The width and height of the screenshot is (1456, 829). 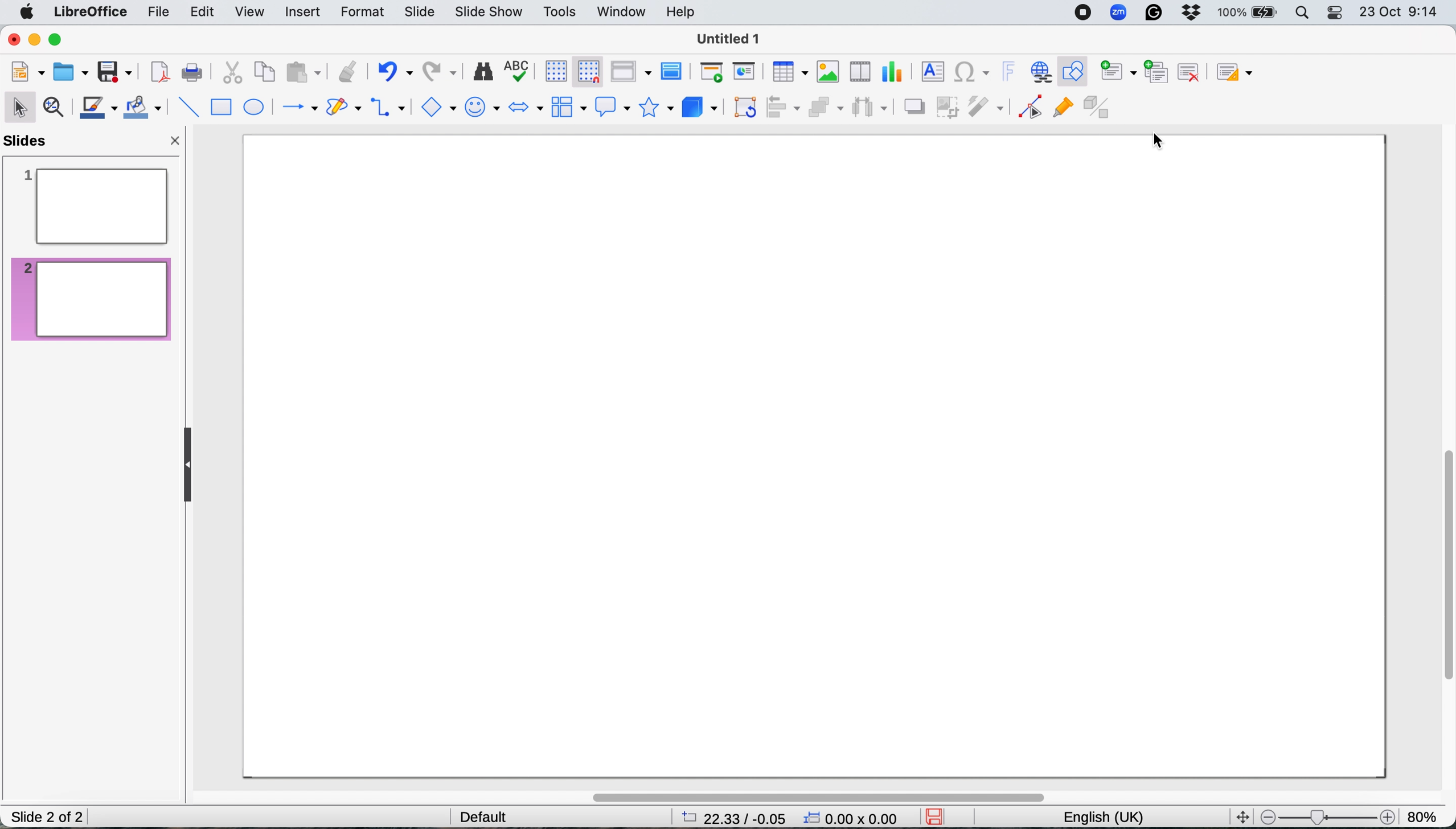 What do you see at coordinates (223, 108) in the screenshot?
I see `rectangle` at bounding box center [223, 108].